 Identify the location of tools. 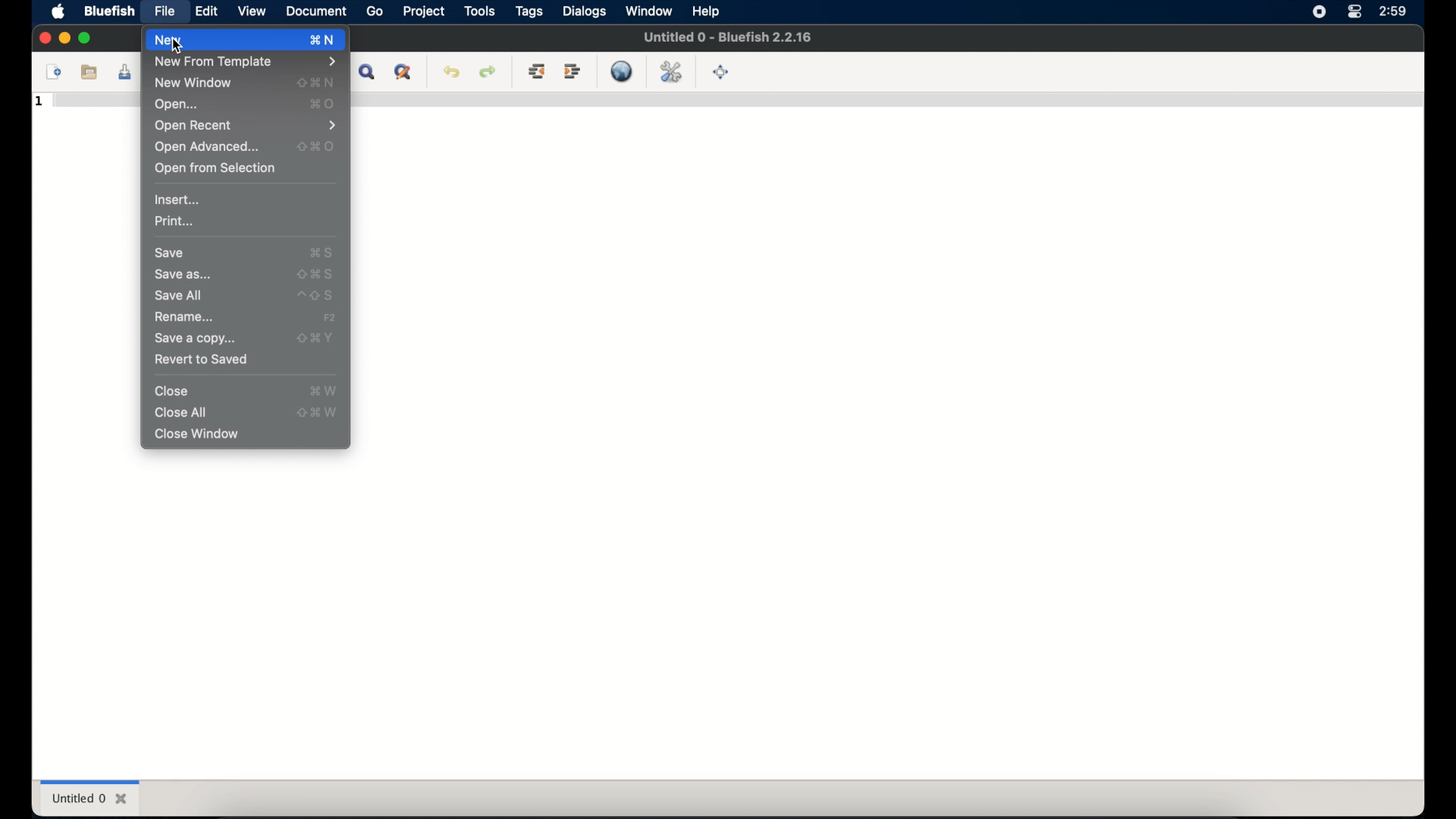
(479, 11).